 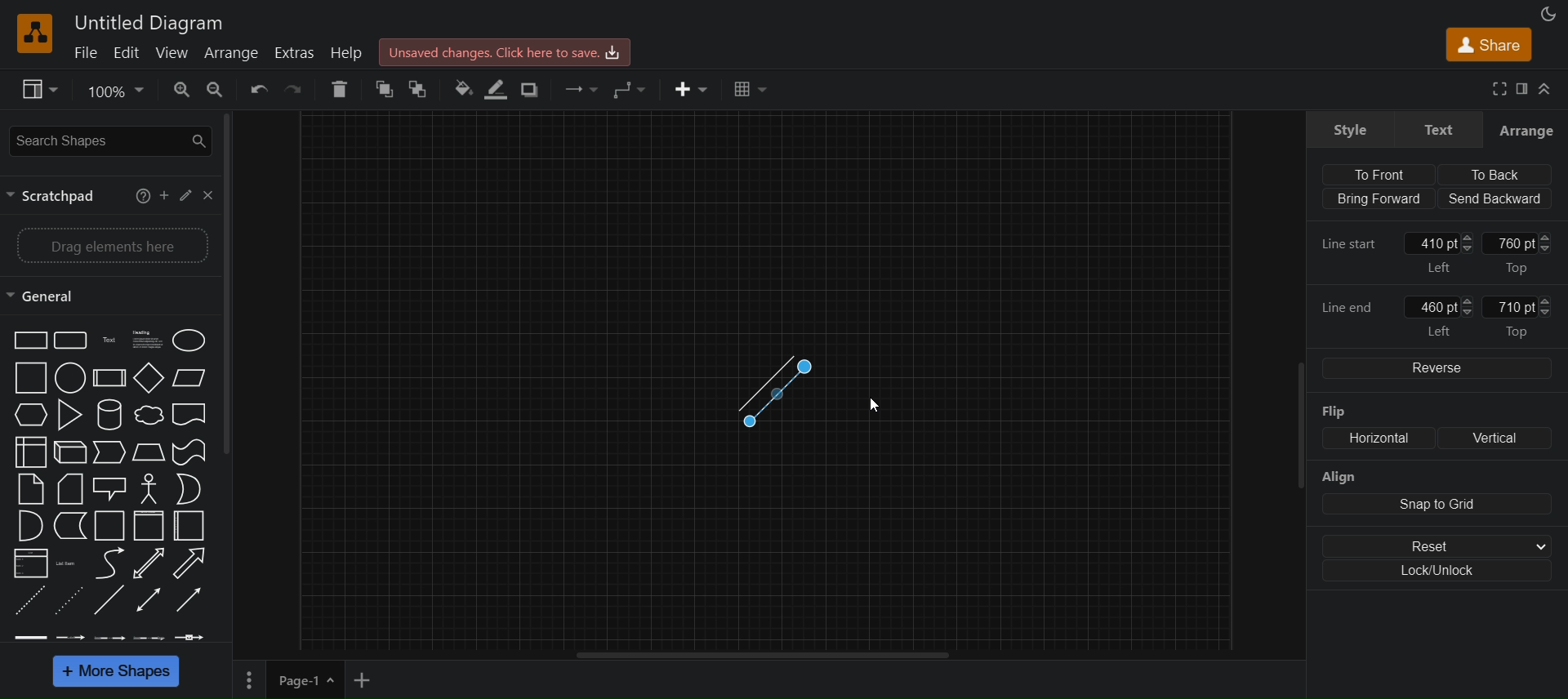 What do you see at coordinates (193, 636) in the screenshot?
I see `connector 5` at bounding box center [193, 636].